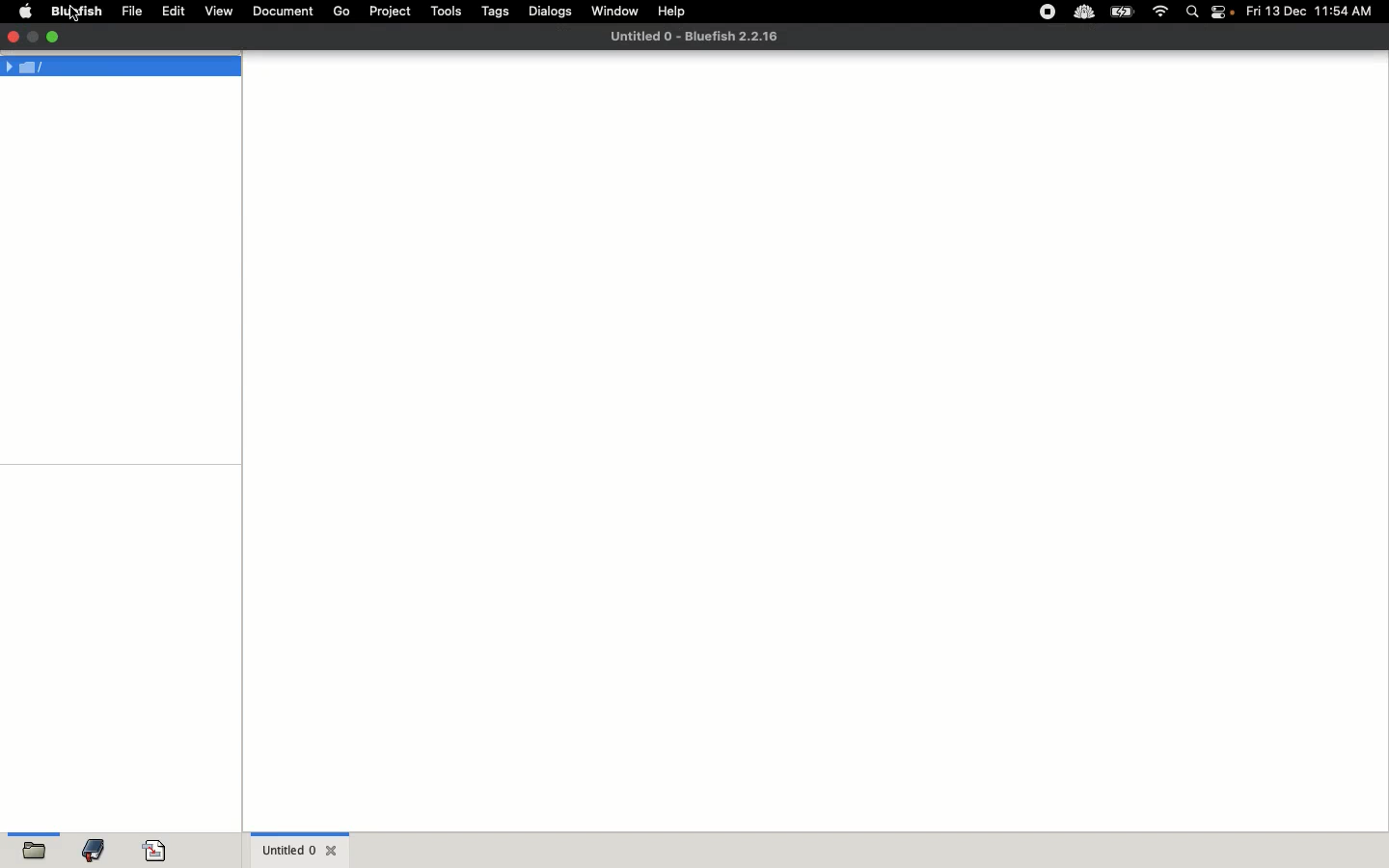  What do you see at coordinates (300, 849) in the screenshot?
I see `Untitled` at bounding box center [300, 849].